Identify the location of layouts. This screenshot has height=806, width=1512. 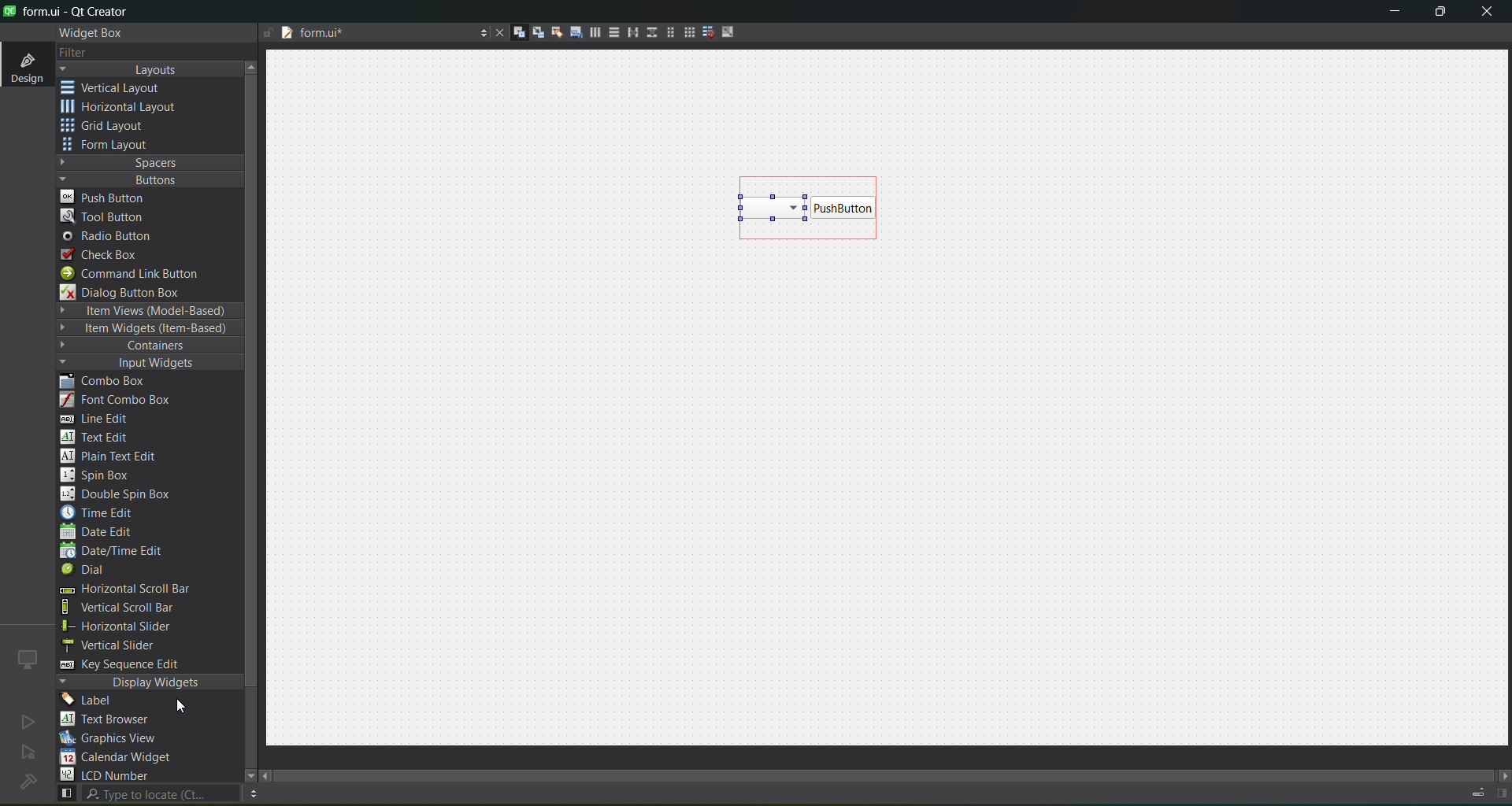
(150, 69).